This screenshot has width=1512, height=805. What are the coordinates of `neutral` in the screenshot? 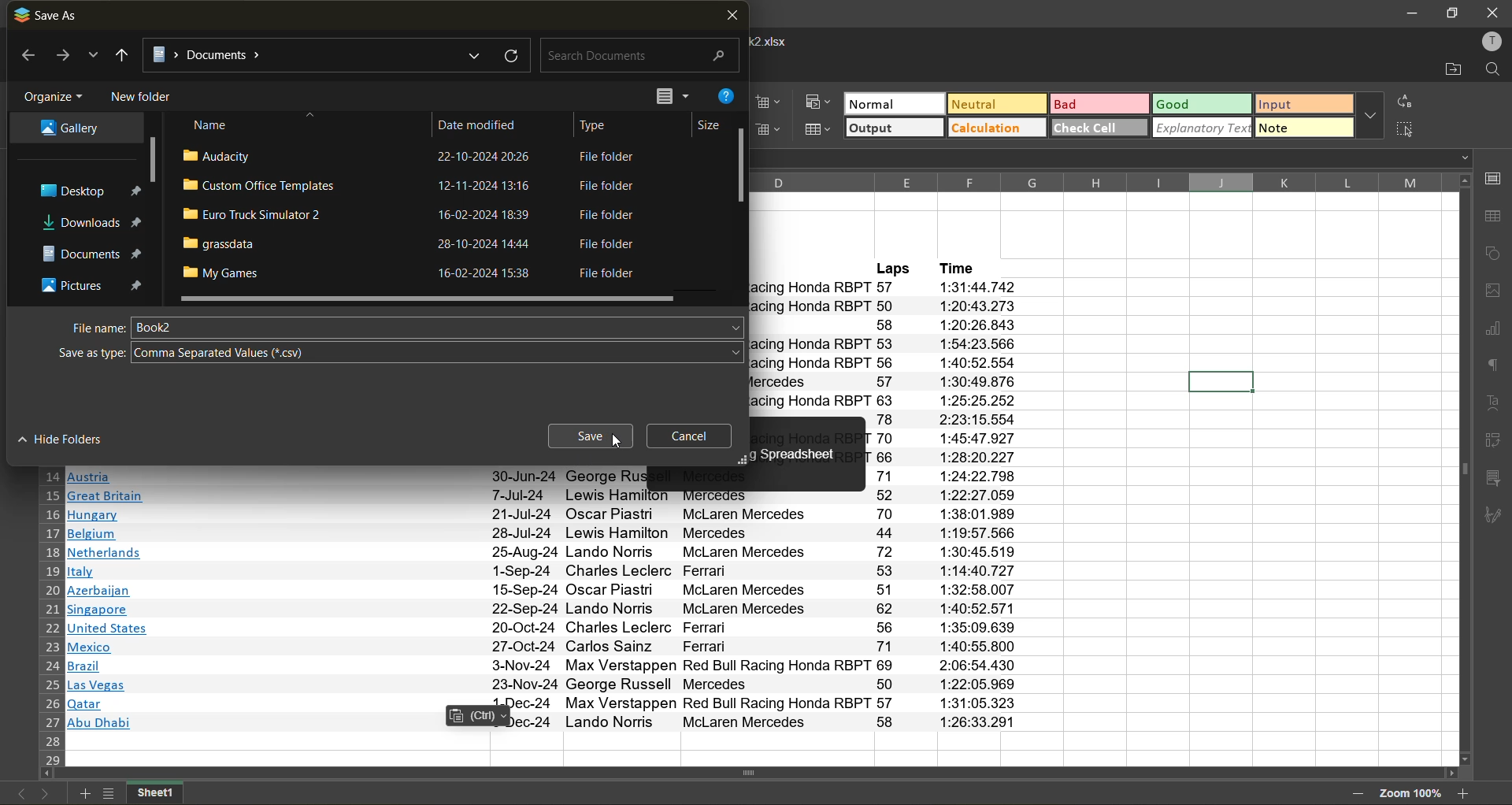 It's located at (999, 104).